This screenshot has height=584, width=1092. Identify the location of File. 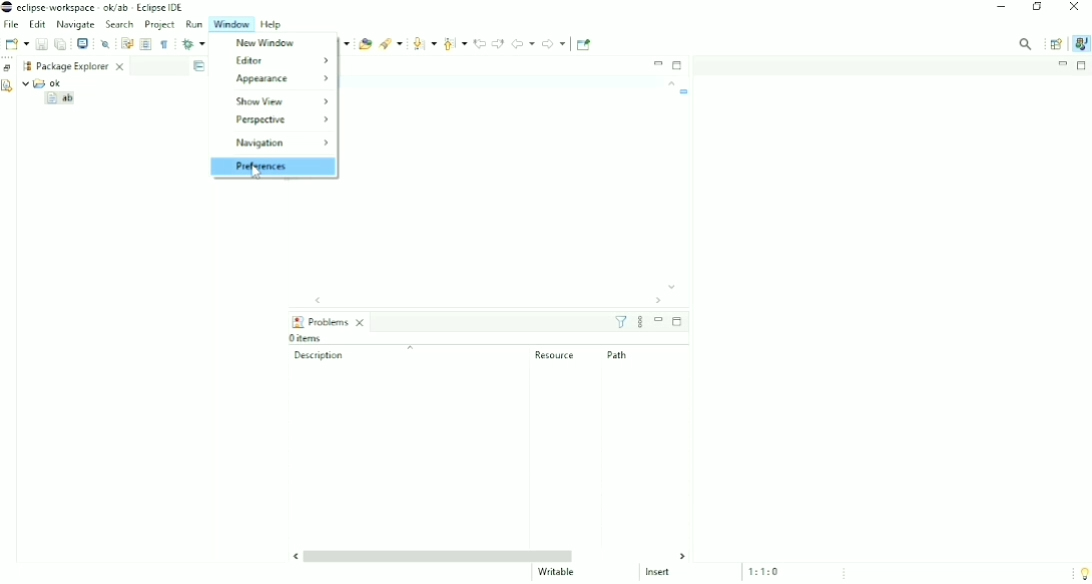
(12, 24).